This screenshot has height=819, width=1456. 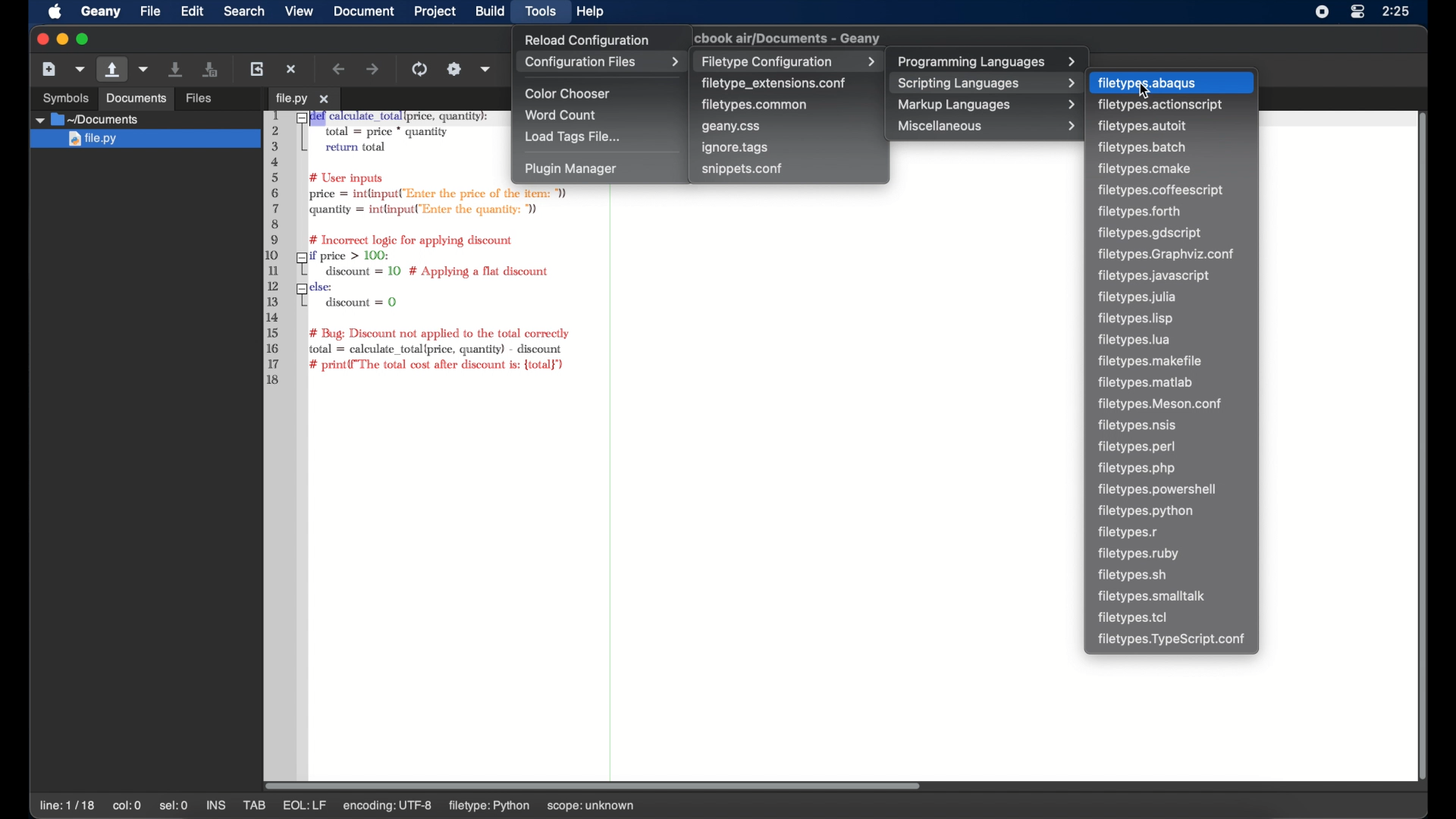 What do you see at coordinates (1136, 447) in the screenshot?
I see `filetypes` at bounding box center [1136, 447].